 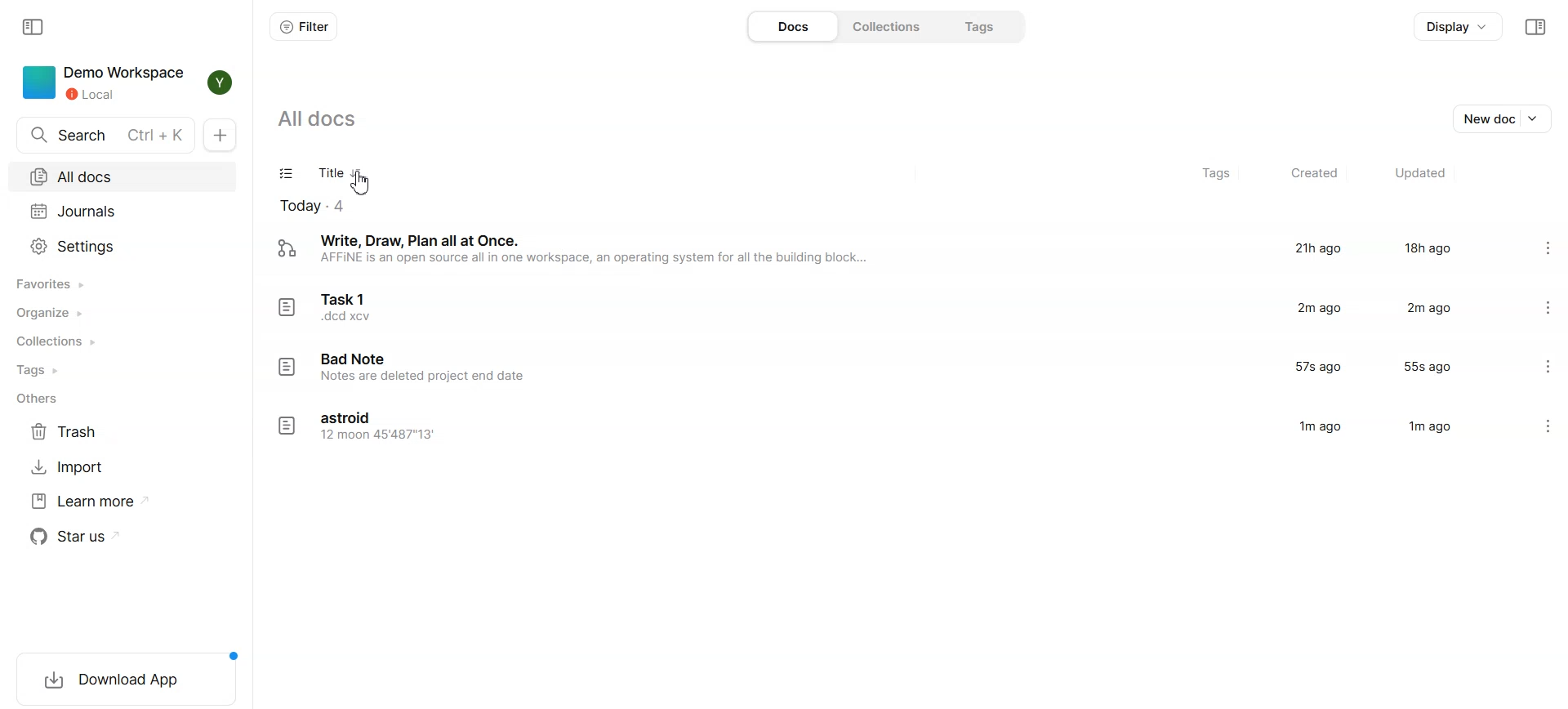 What do you see at coordinates (220, 82) in the screenshot?
I see `Y` at bounding box center [220, 82].